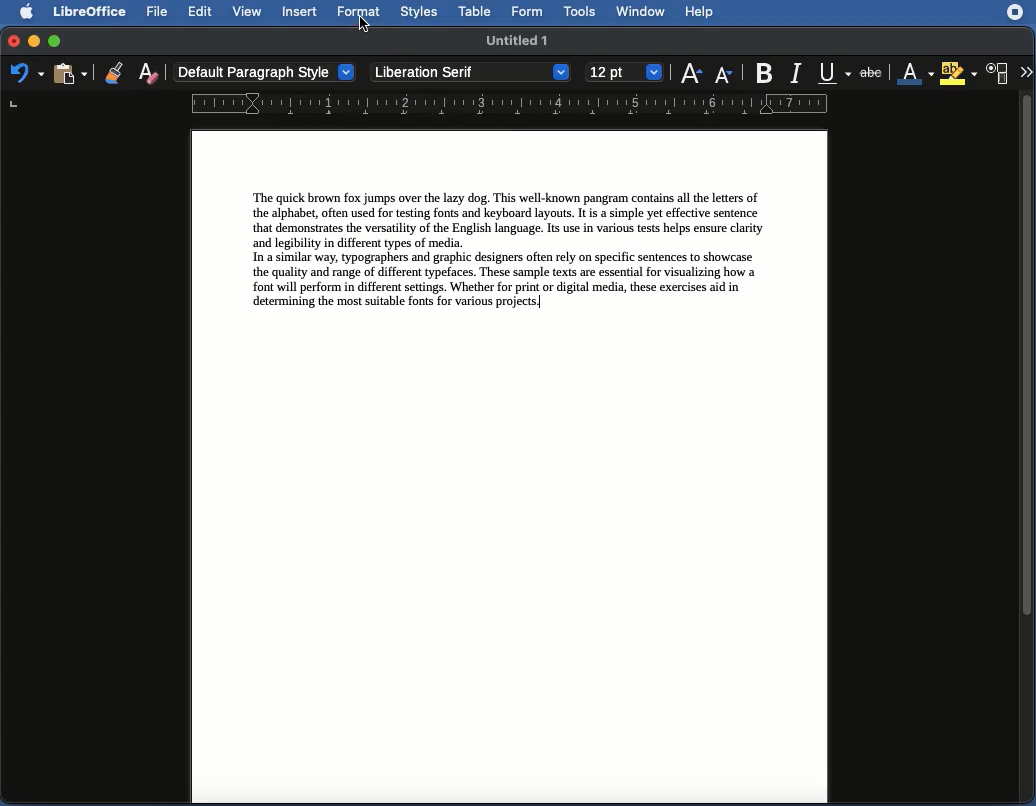  What do you see at coordinates (12, 39) in the screenshot?
I see `Close` at bounding box center [12, 39].